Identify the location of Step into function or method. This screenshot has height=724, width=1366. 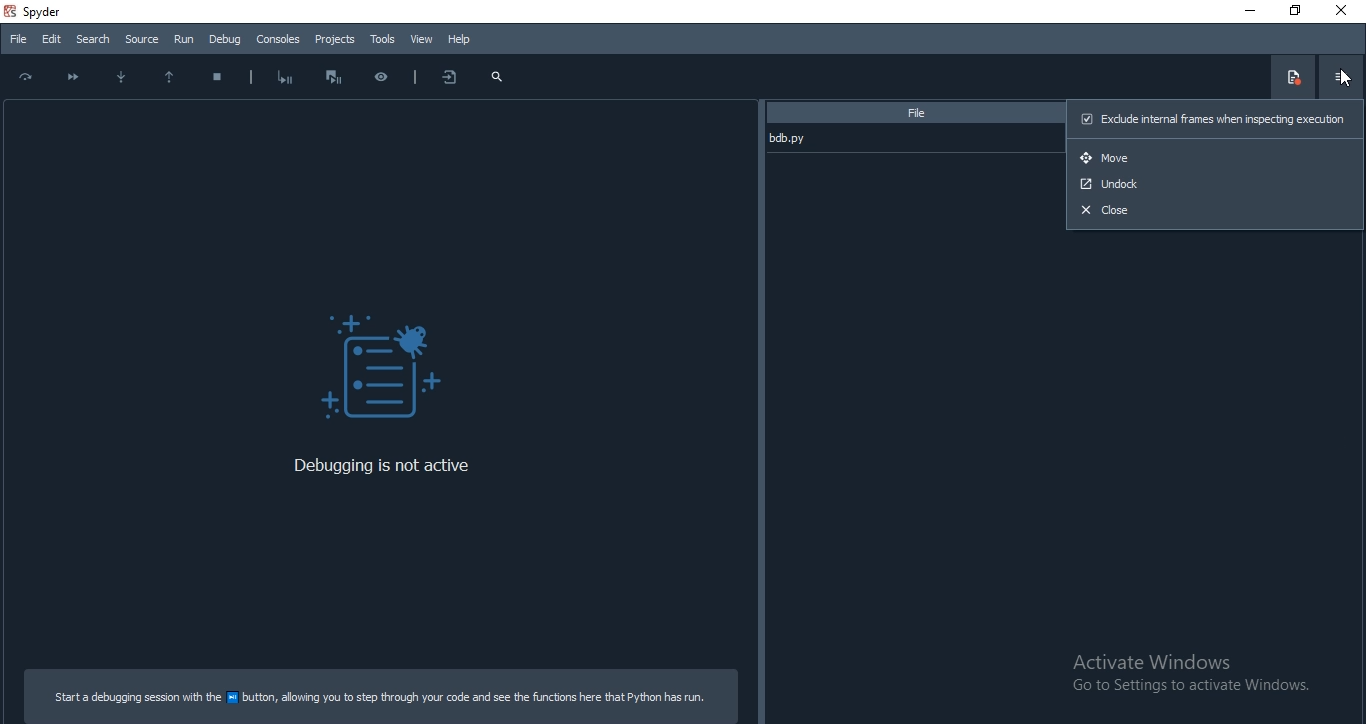
(120, 77).